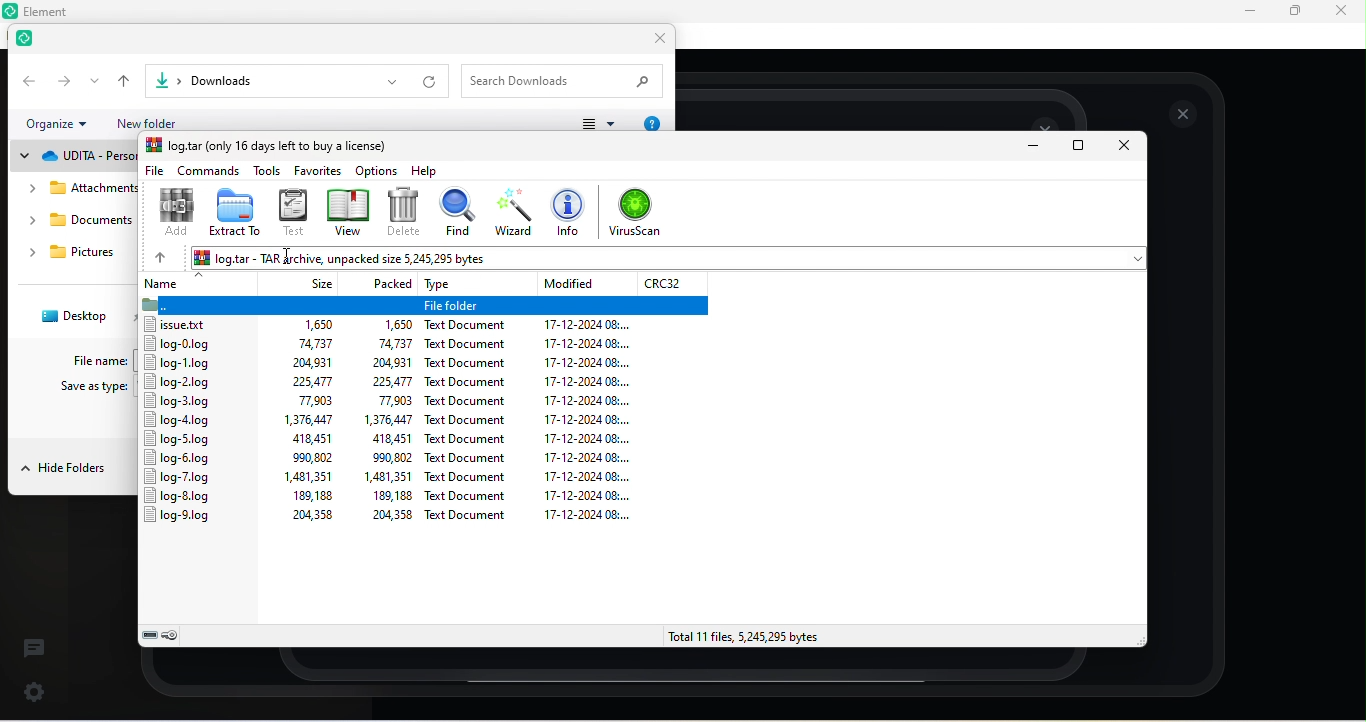  I want to click on packed, so click(394, 285).